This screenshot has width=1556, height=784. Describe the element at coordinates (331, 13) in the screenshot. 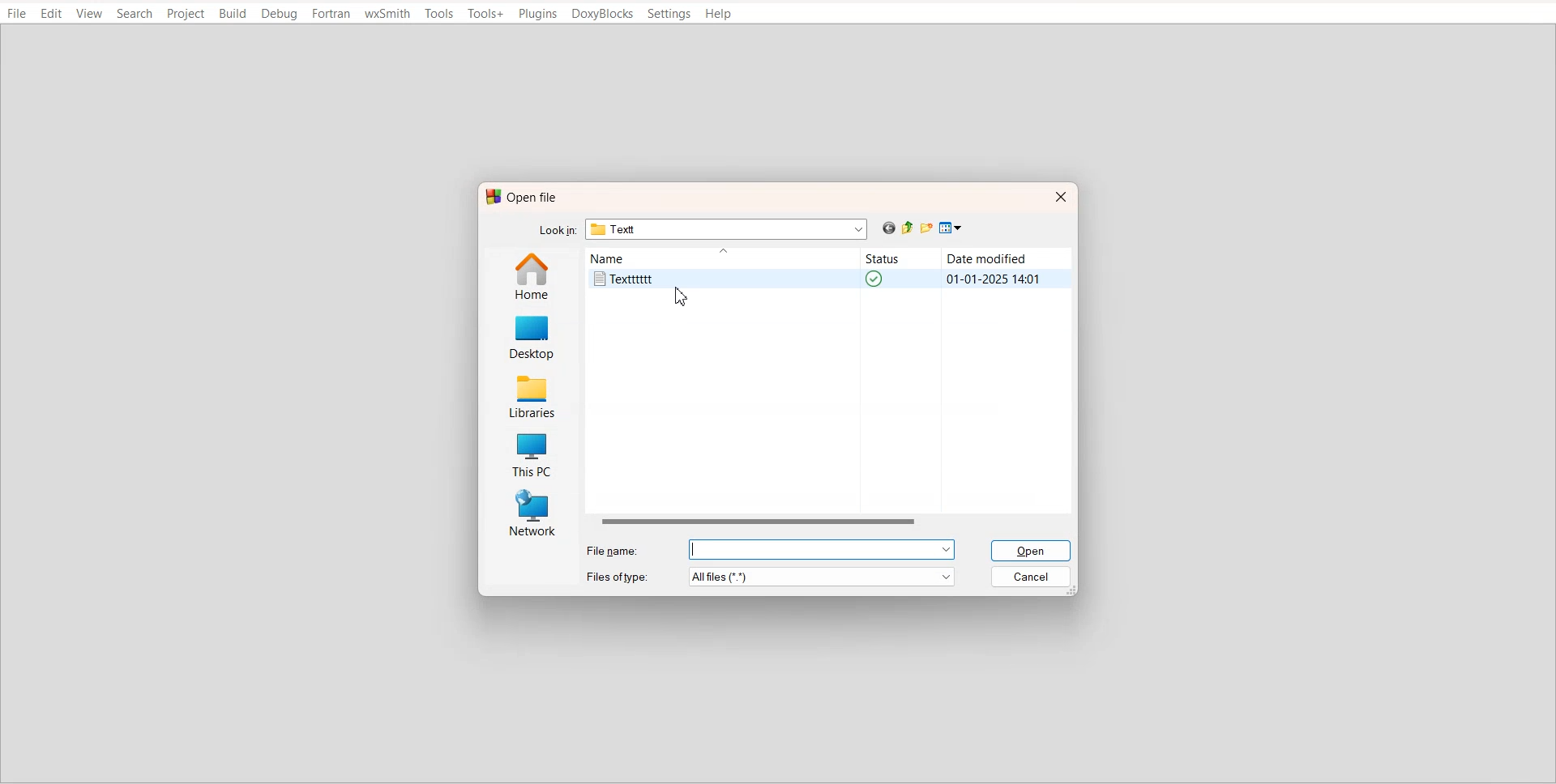

I see `Fortran` at that location.